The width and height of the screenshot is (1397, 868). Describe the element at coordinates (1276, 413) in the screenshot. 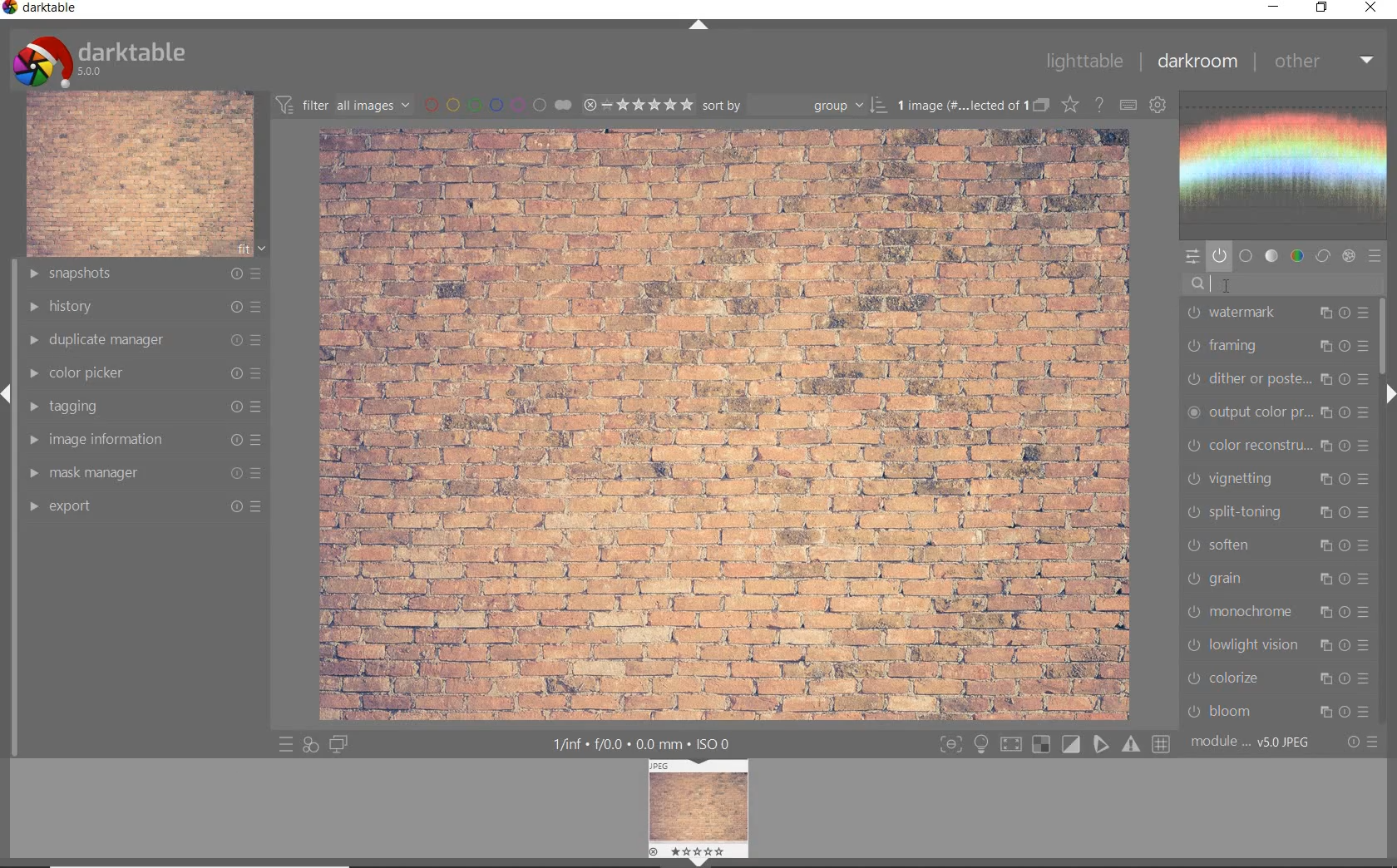

I see `output color preset` at that location.